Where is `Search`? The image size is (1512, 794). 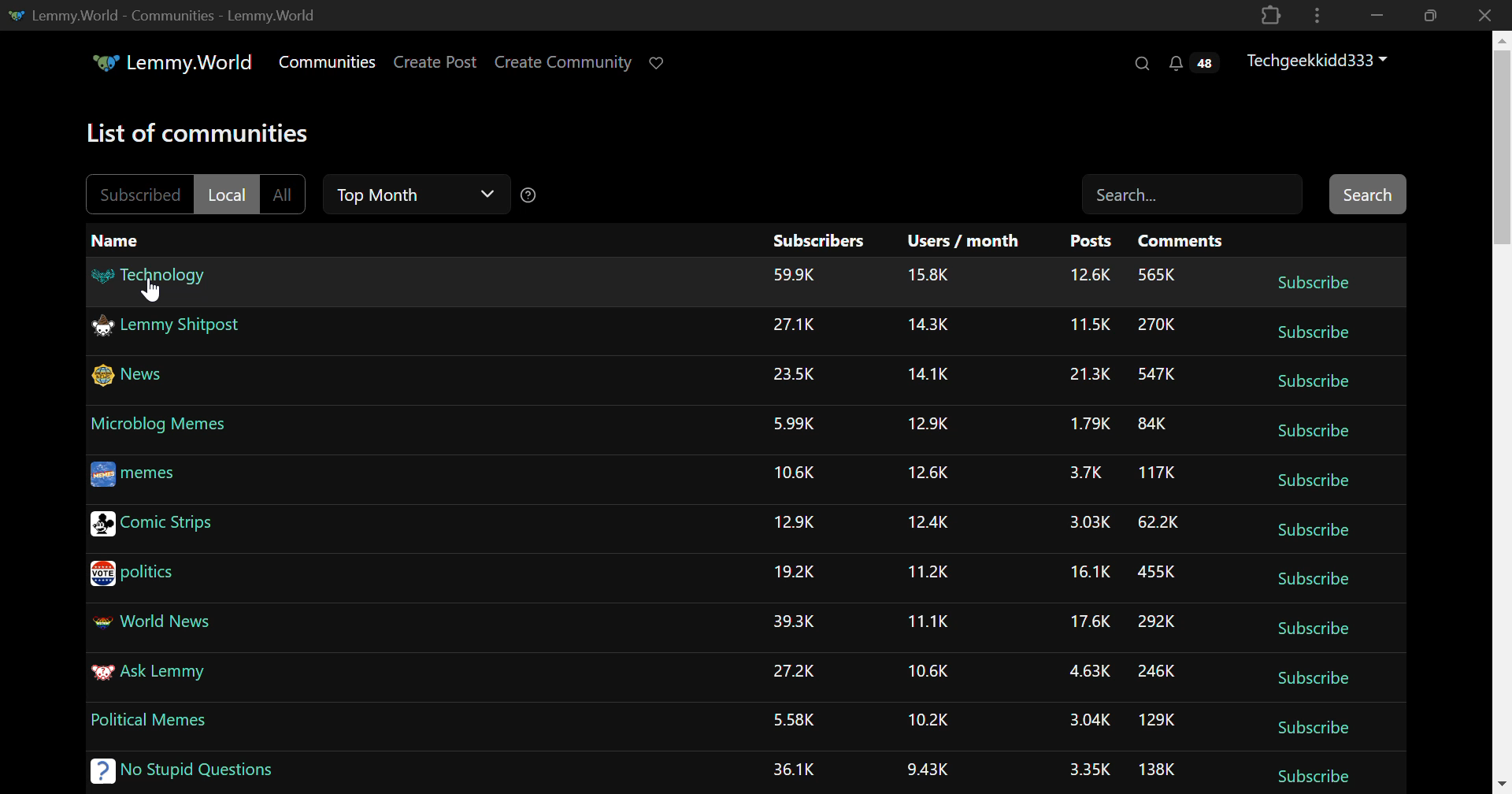
Search is located at coordinates (1366, 194).